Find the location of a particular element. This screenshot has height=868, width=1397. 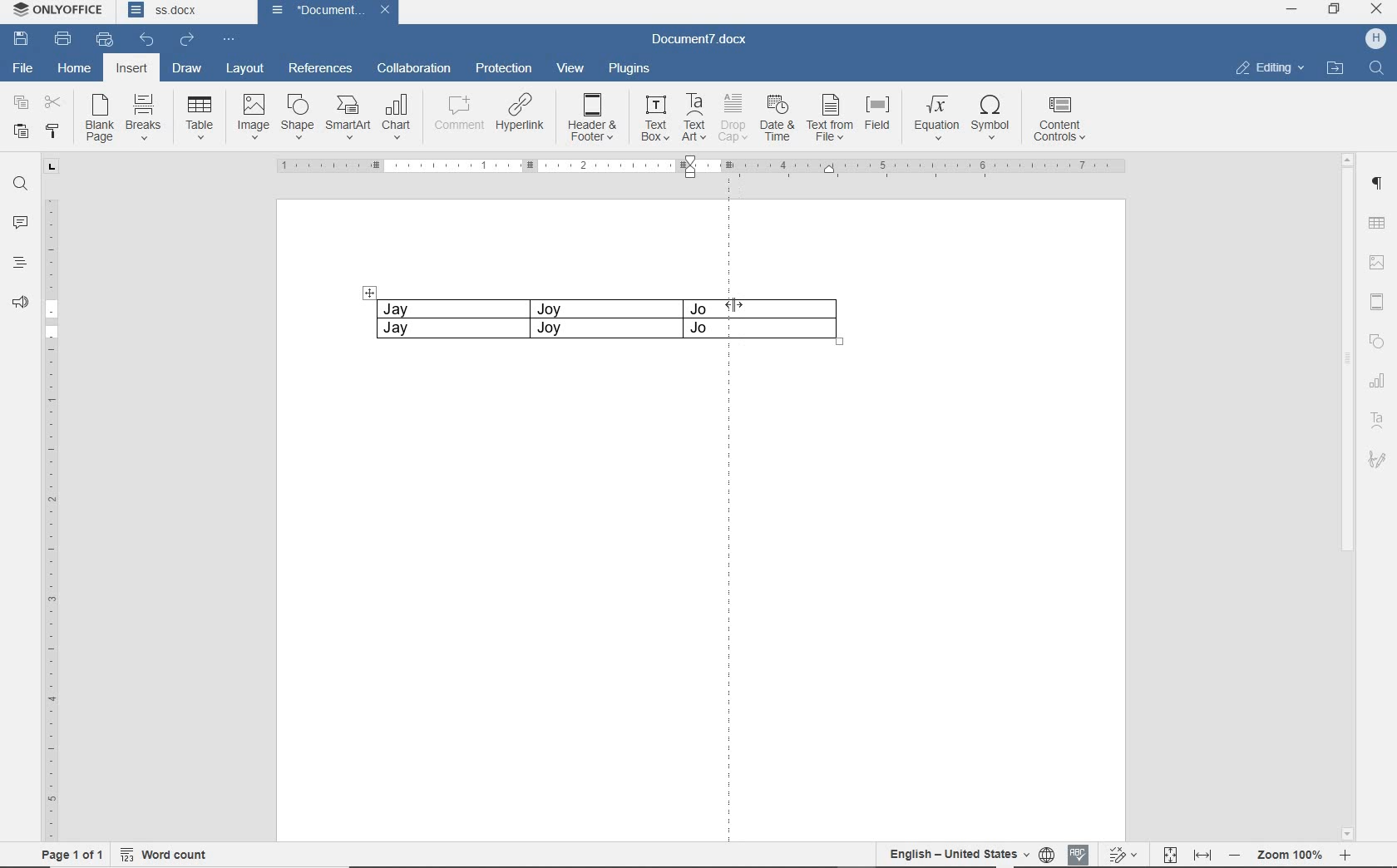

ZOOM OUT OR ZOOM IN is located at coordinates (1292, 855).